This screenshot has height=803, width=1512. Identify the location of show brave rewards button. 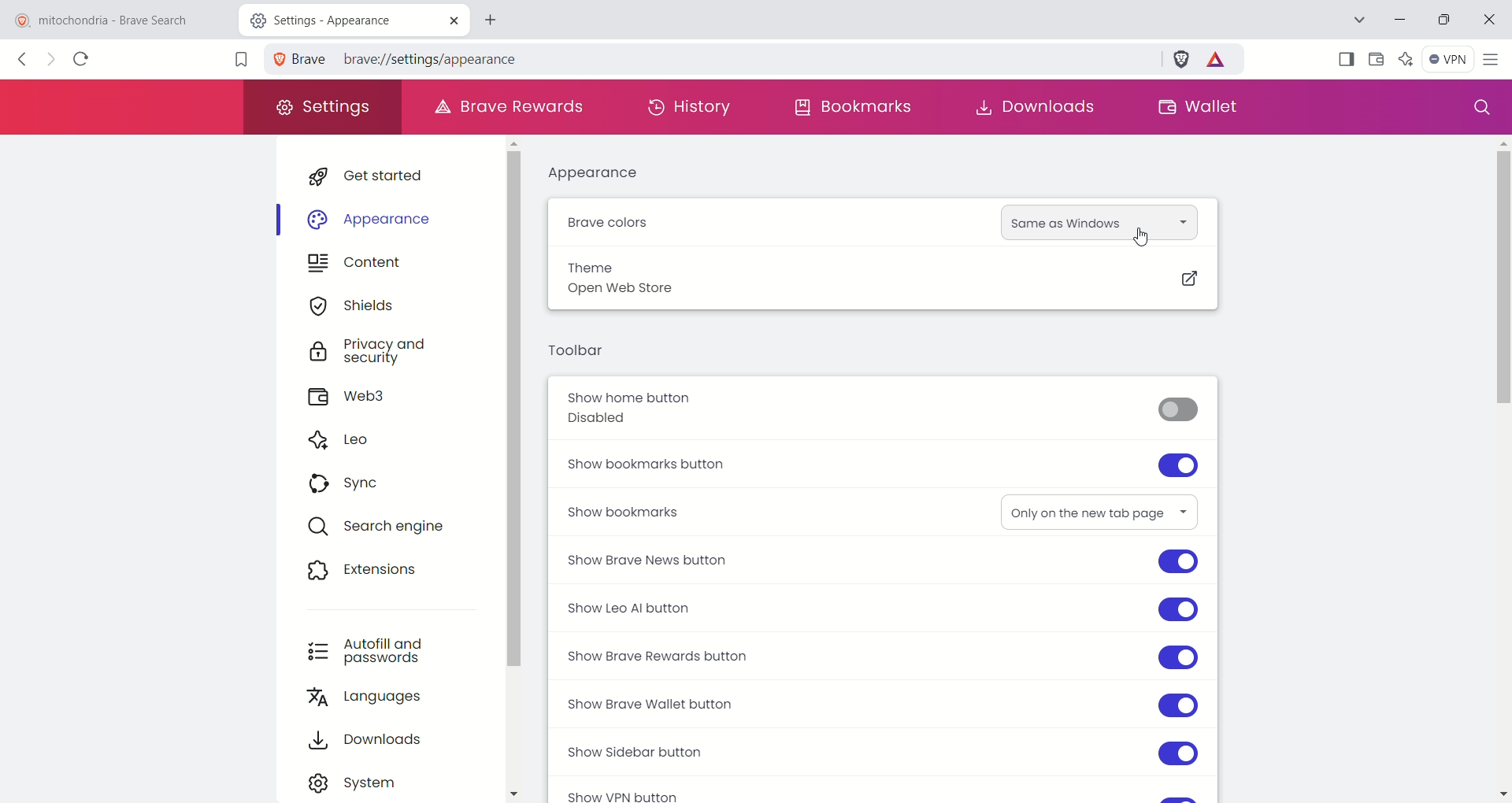
(880, 656).